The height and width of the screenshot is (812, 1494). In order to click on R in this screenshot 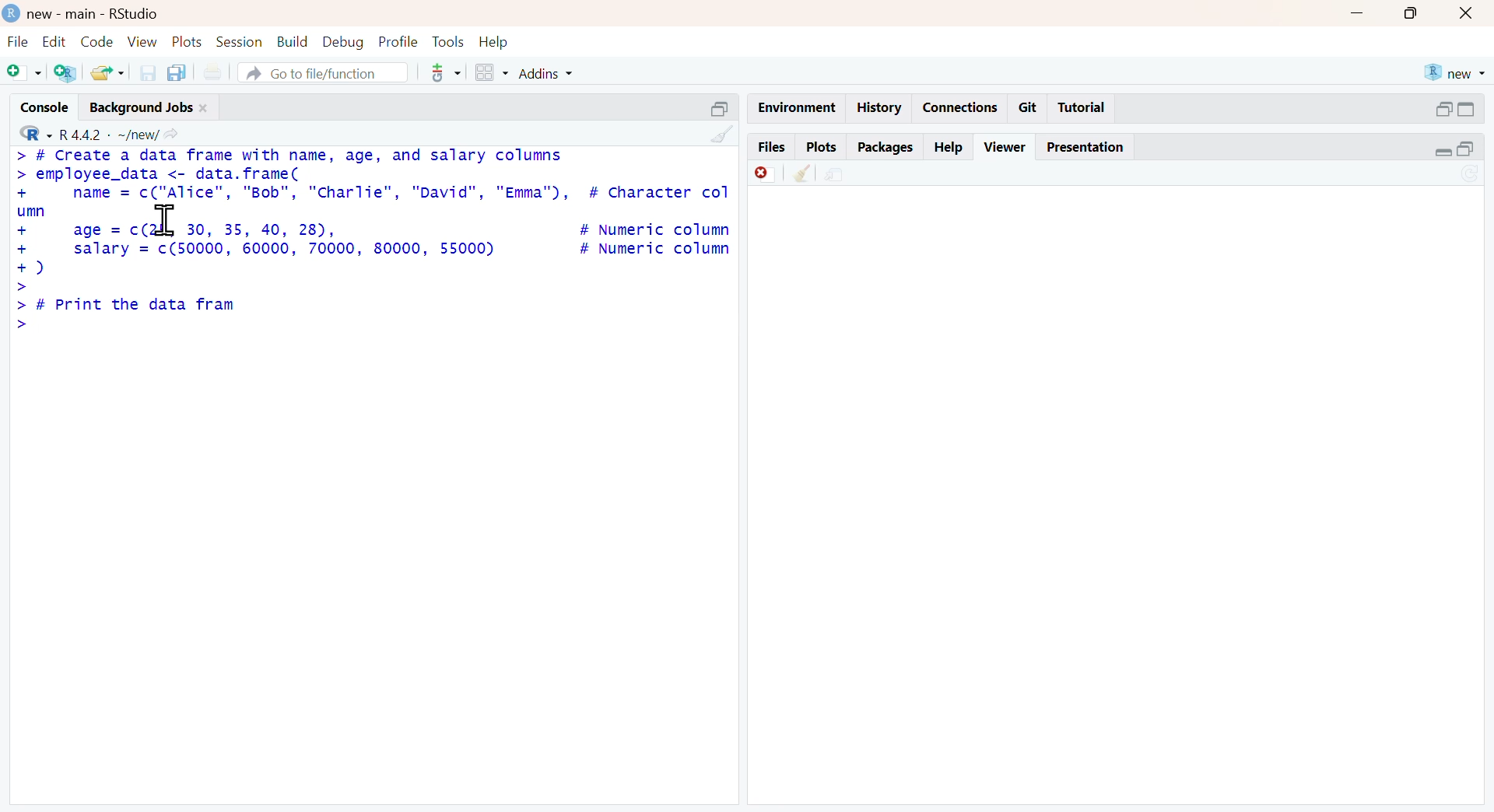, I will do `click(29, 134)`.